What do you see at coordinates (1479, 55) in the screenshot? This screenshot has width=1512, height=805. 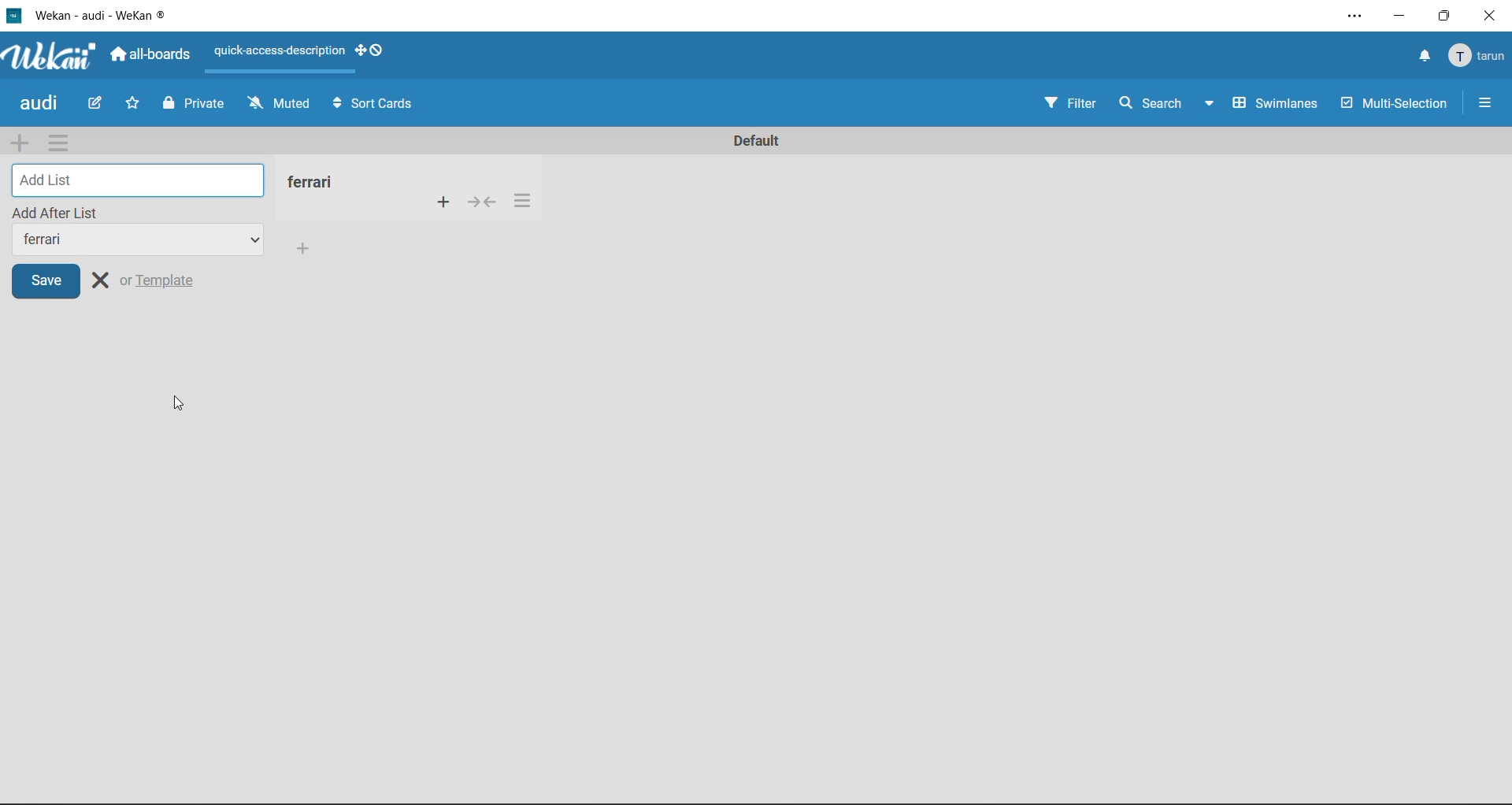 I see `tarun` at bounding box center [1479, 55].